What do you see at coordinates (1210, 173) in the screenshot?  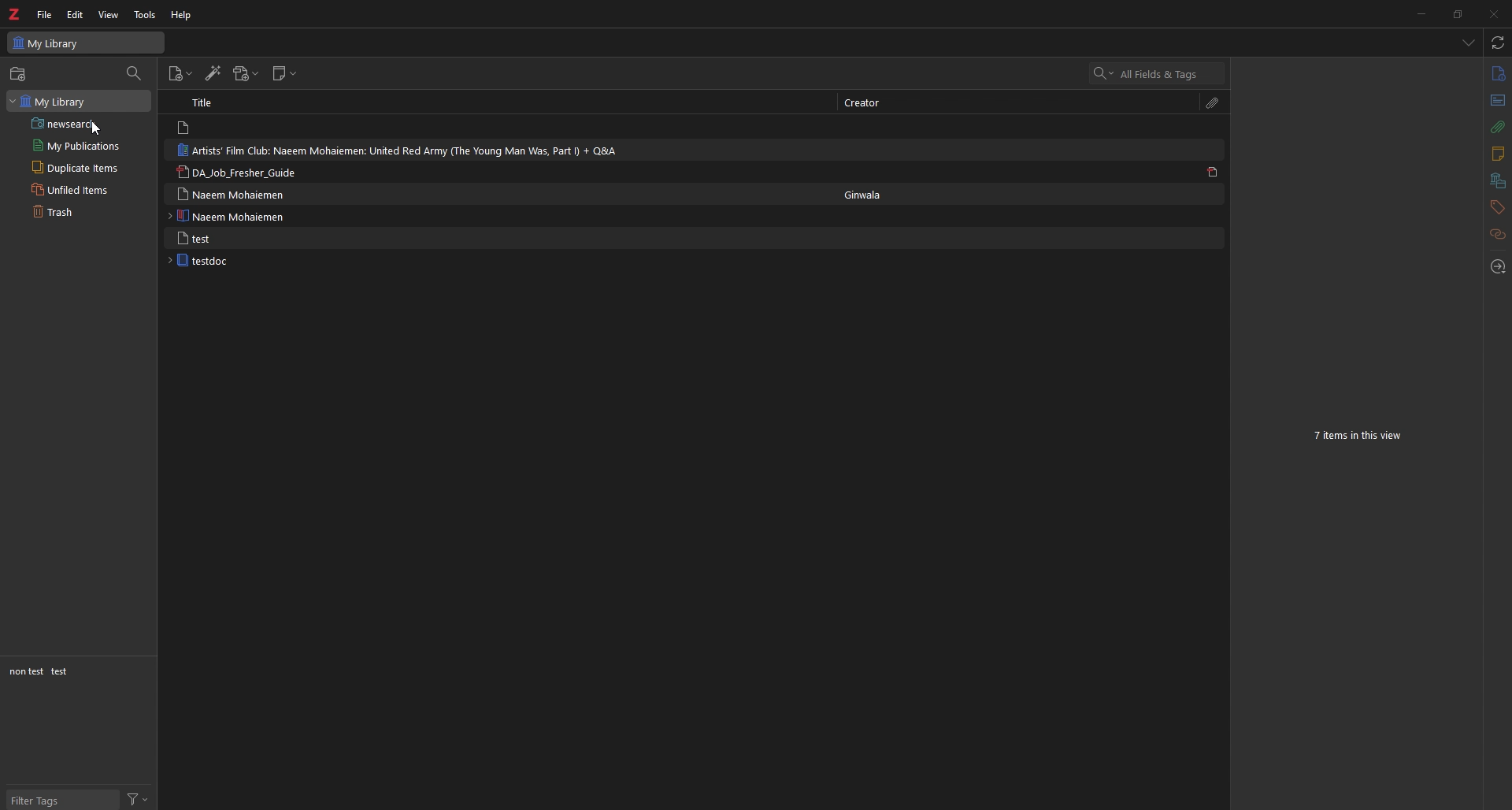 I see `PDF` at bounding box center [1210, 173].